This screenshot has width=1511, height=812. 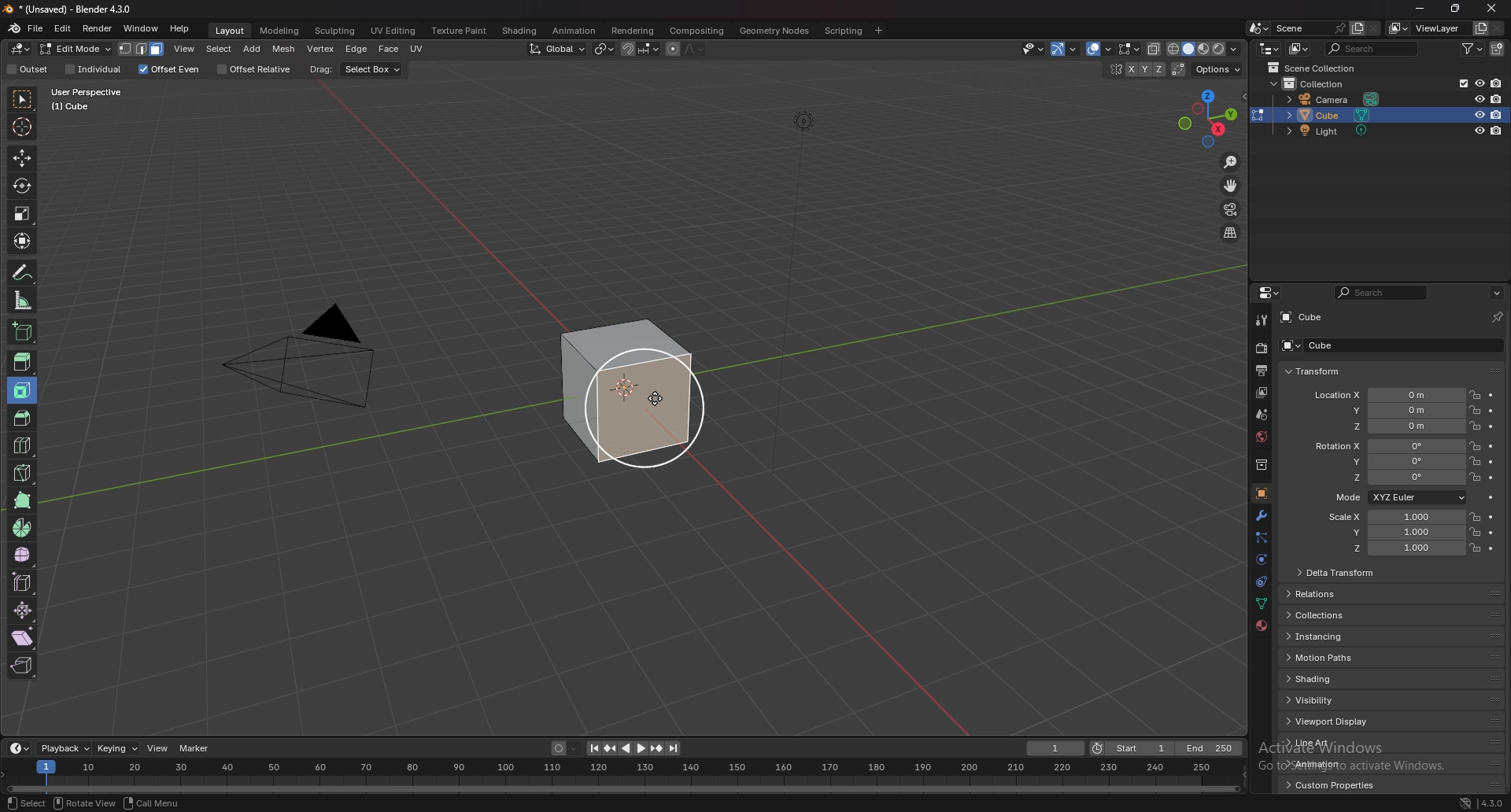 What do you see at coordinates (157, 747) in the screenshot?
I see `view` at bounding box center [157, 747].